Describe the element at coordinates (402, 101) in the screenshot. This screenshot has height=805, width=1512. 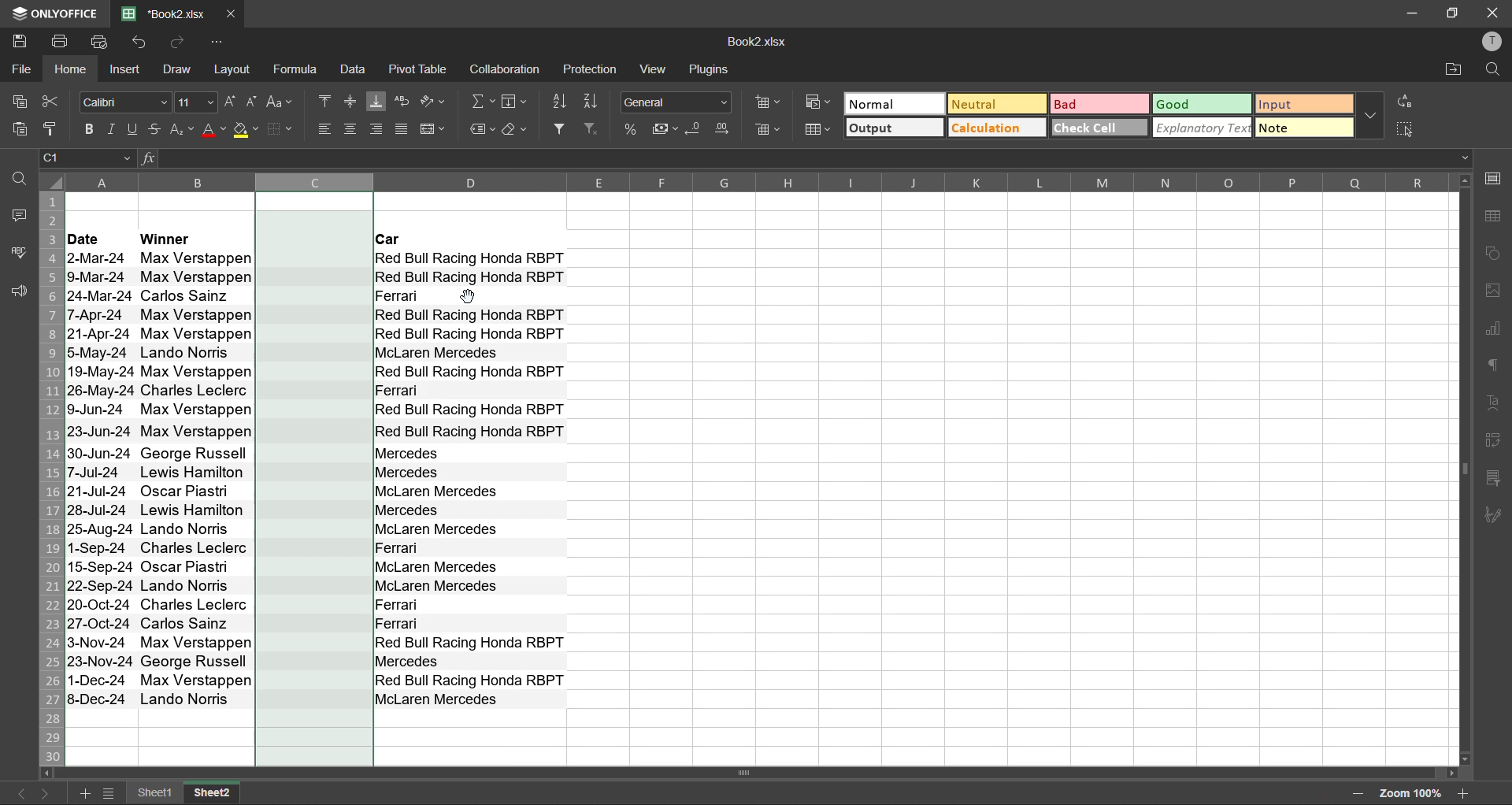
I see `wrap text` at that location.